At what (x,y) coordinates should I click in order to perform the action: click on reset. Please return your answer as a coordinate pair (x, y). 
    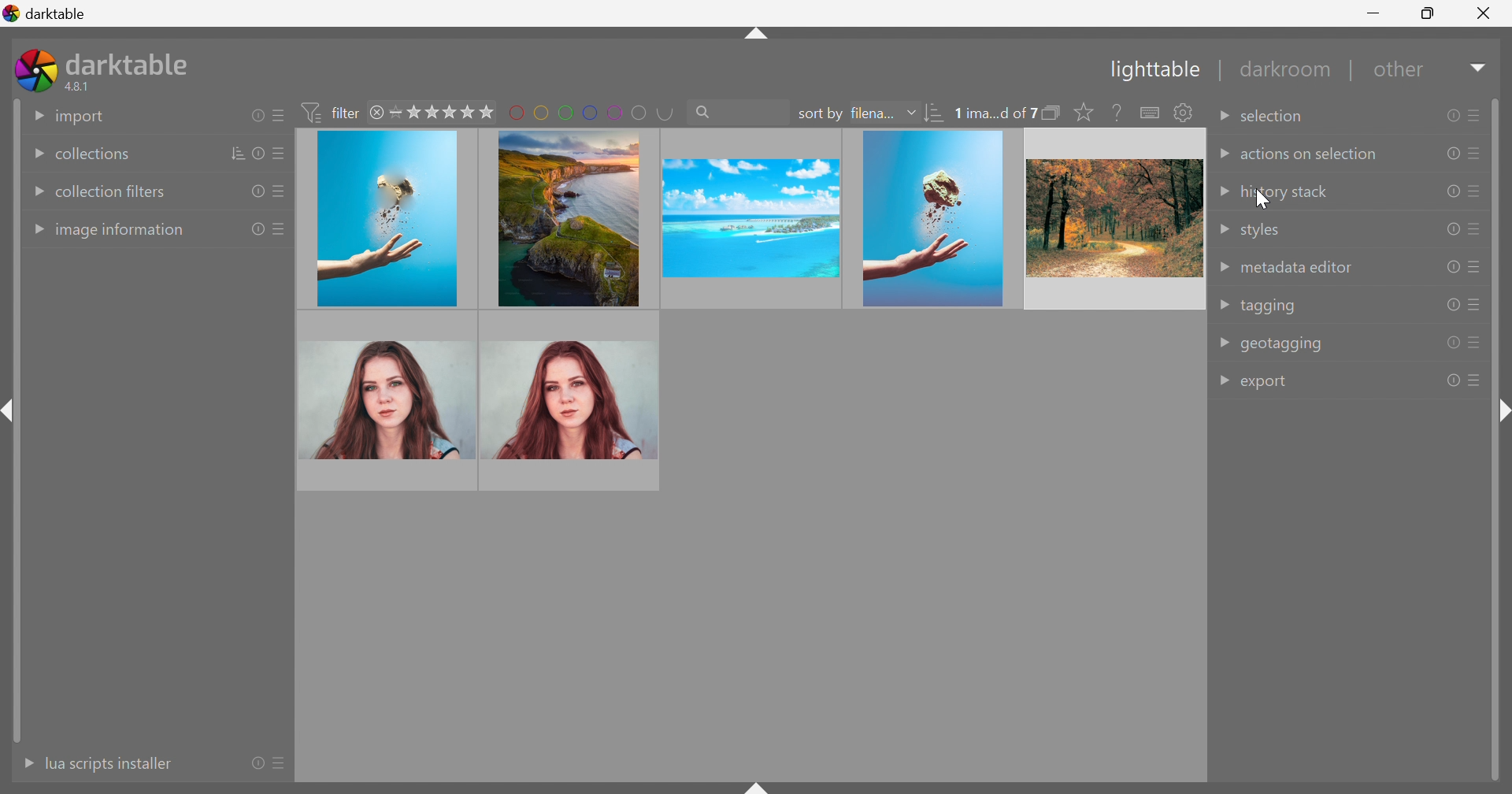
    Looking at the image, I should click on (1453, 343).